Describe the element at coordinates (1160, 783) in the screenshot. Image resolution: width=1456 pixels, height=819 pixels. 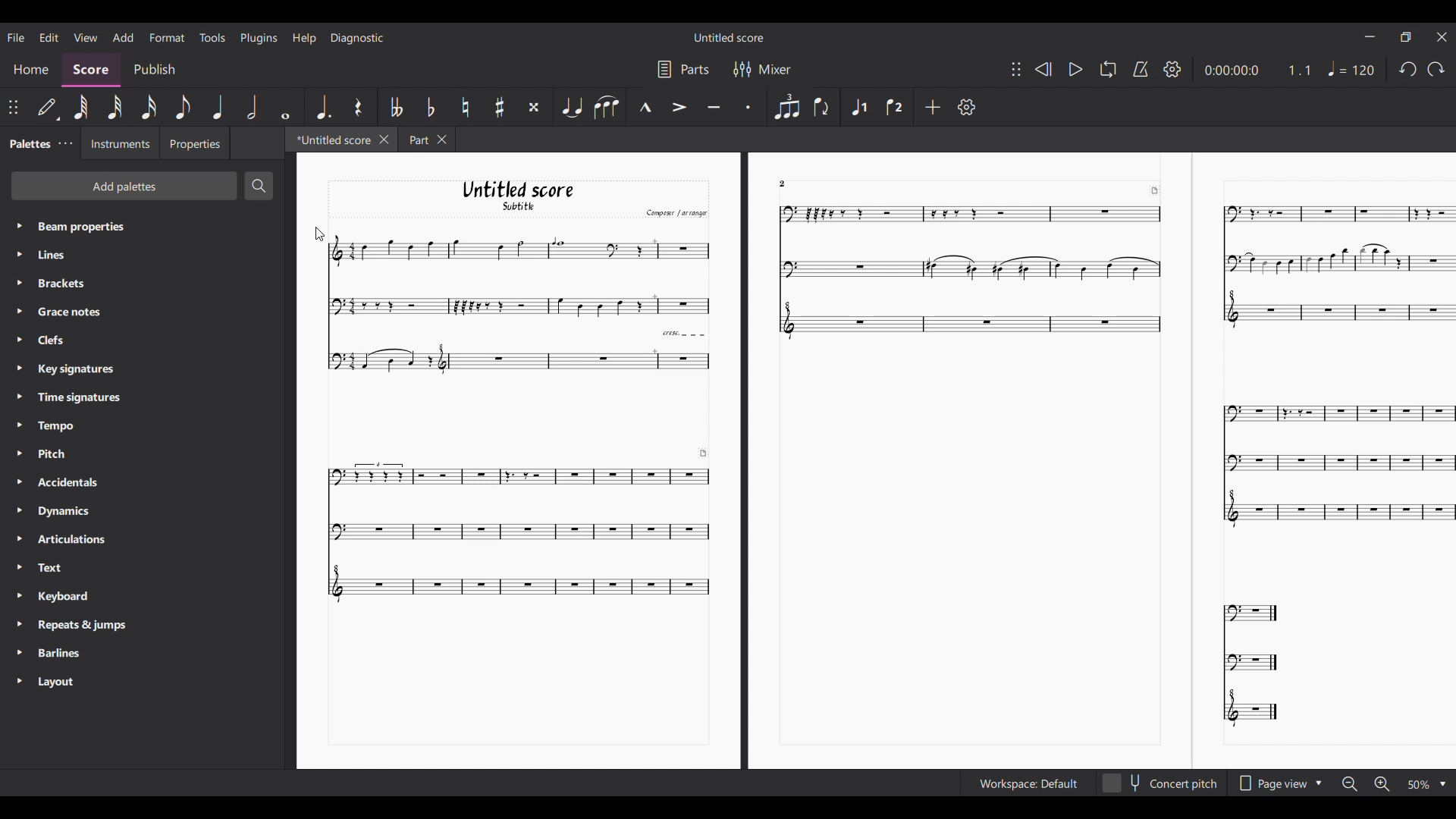
I see `Concert pitch toggle` at that location.